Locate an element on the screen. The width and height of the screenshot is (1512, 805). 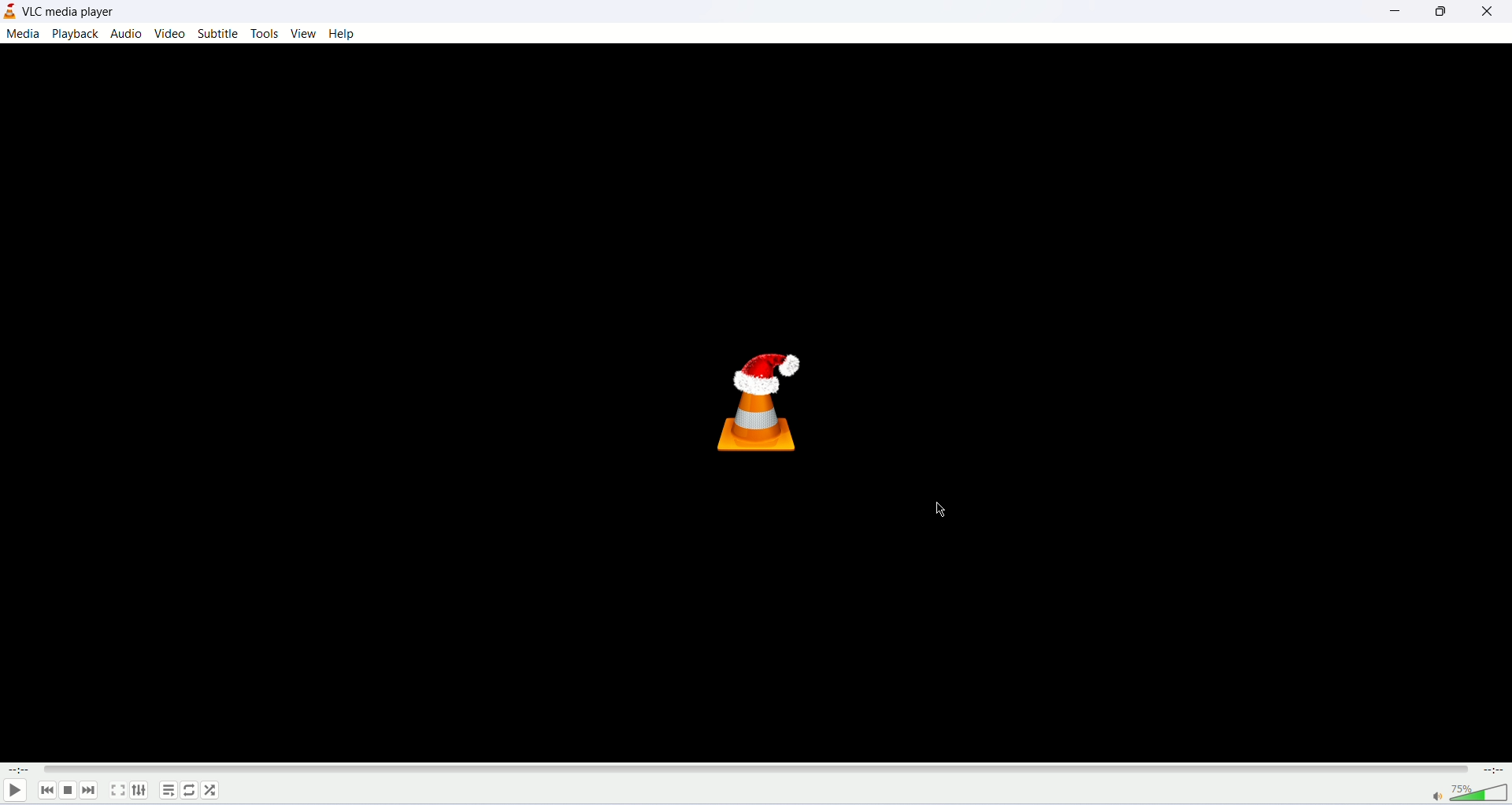
minimize is located at coordinates (1390, 11).